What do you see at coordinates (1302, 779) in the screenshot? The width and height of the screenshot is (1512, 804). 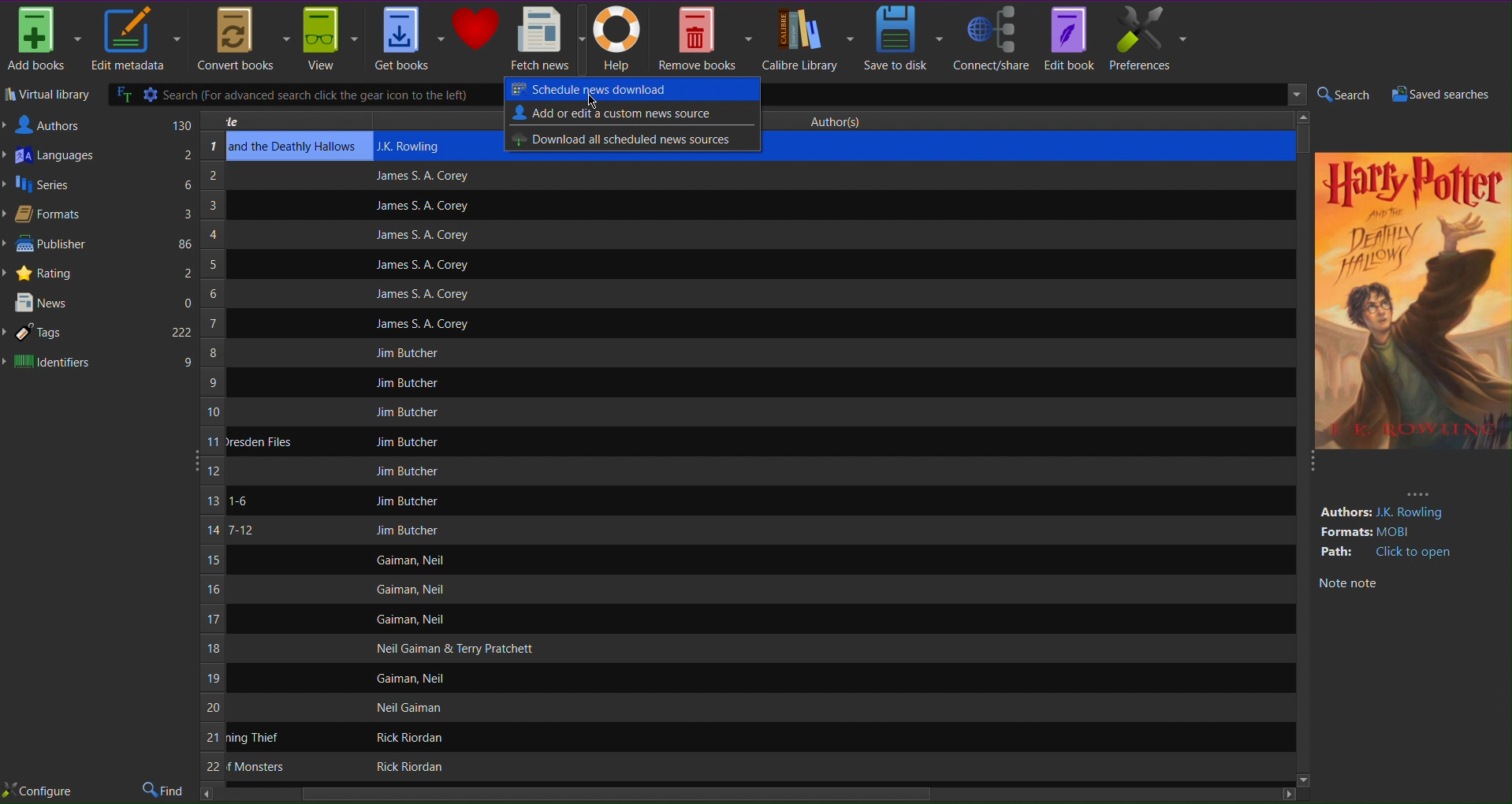 I see `Down` at bounding box center [1302, 779].